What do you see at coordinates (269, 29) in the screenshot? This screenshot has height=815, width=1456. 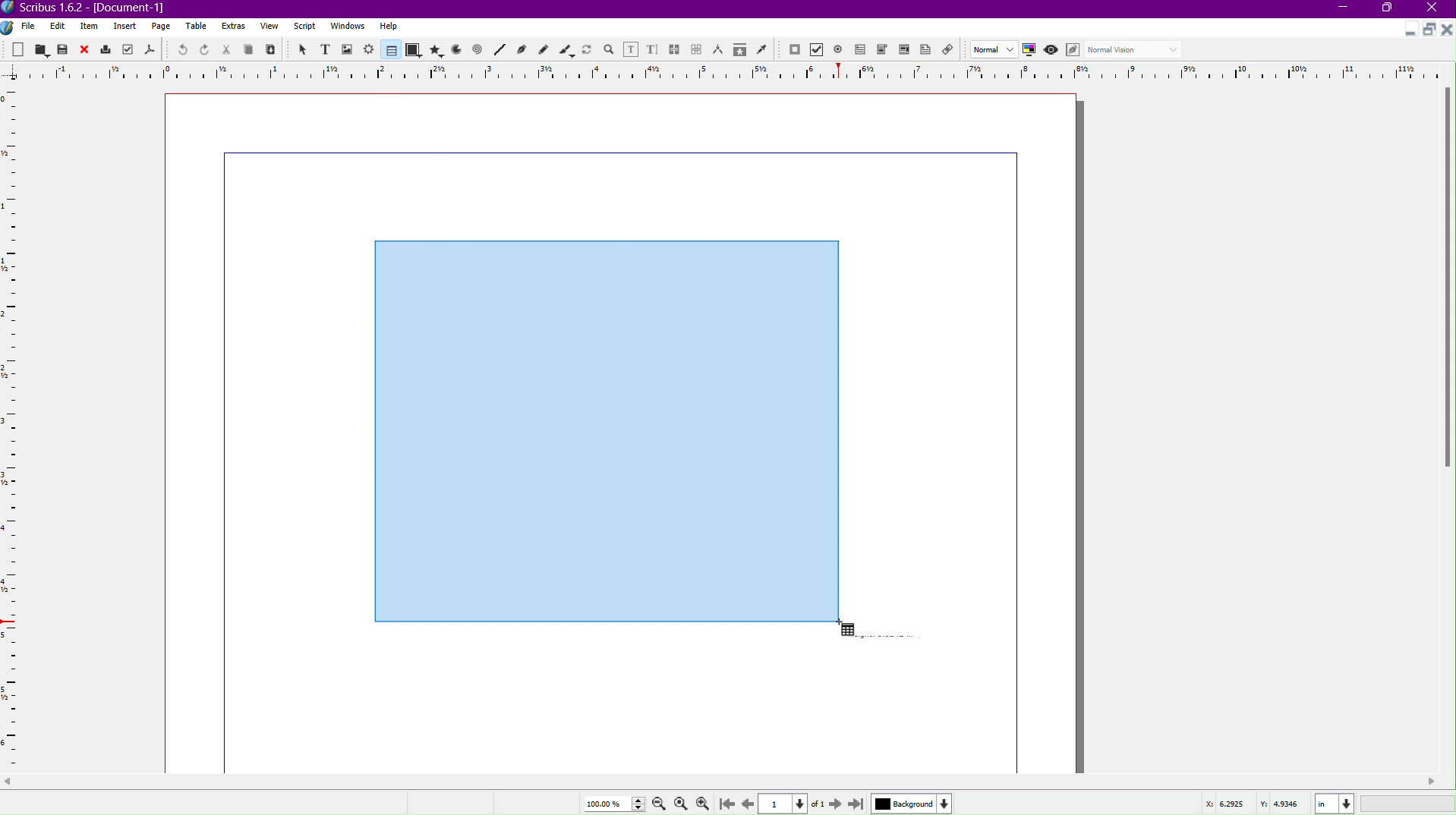 I see `View` at bounding box center [269, 29].